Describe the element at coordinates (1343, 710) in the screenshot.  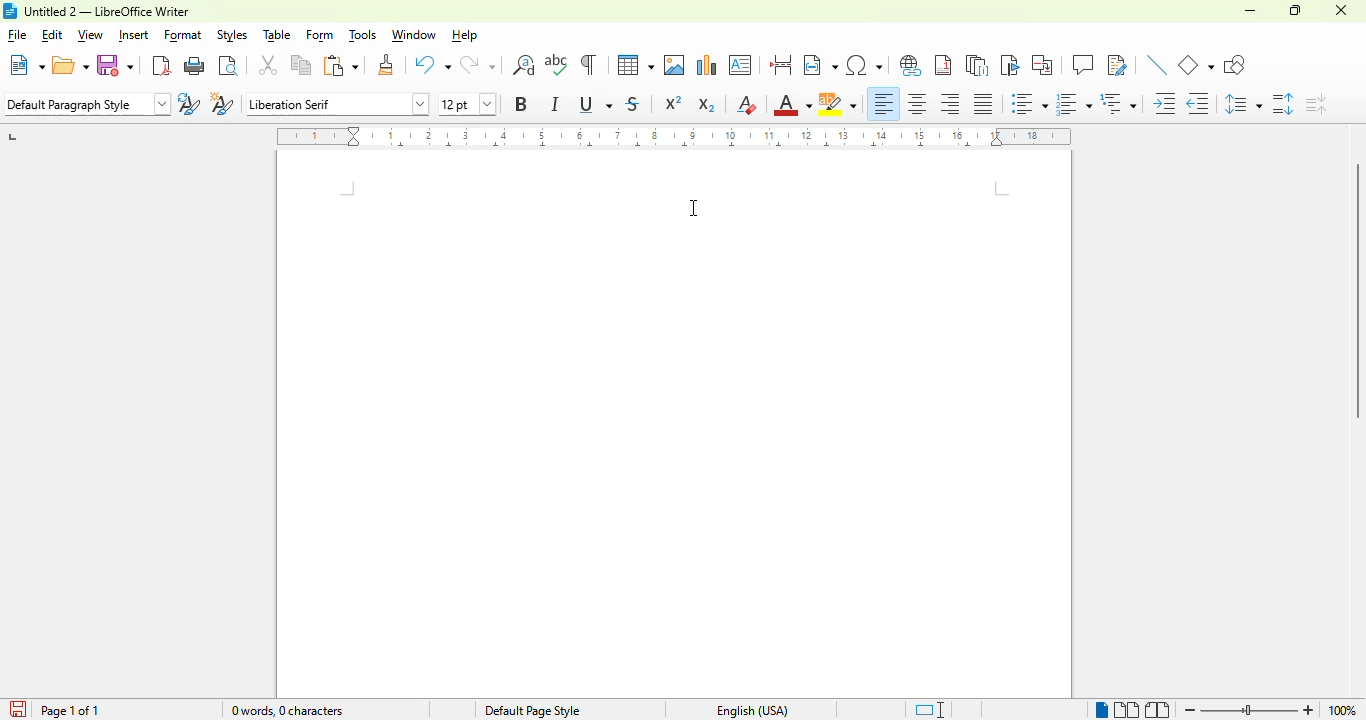
I see `zoom factor` at that location.